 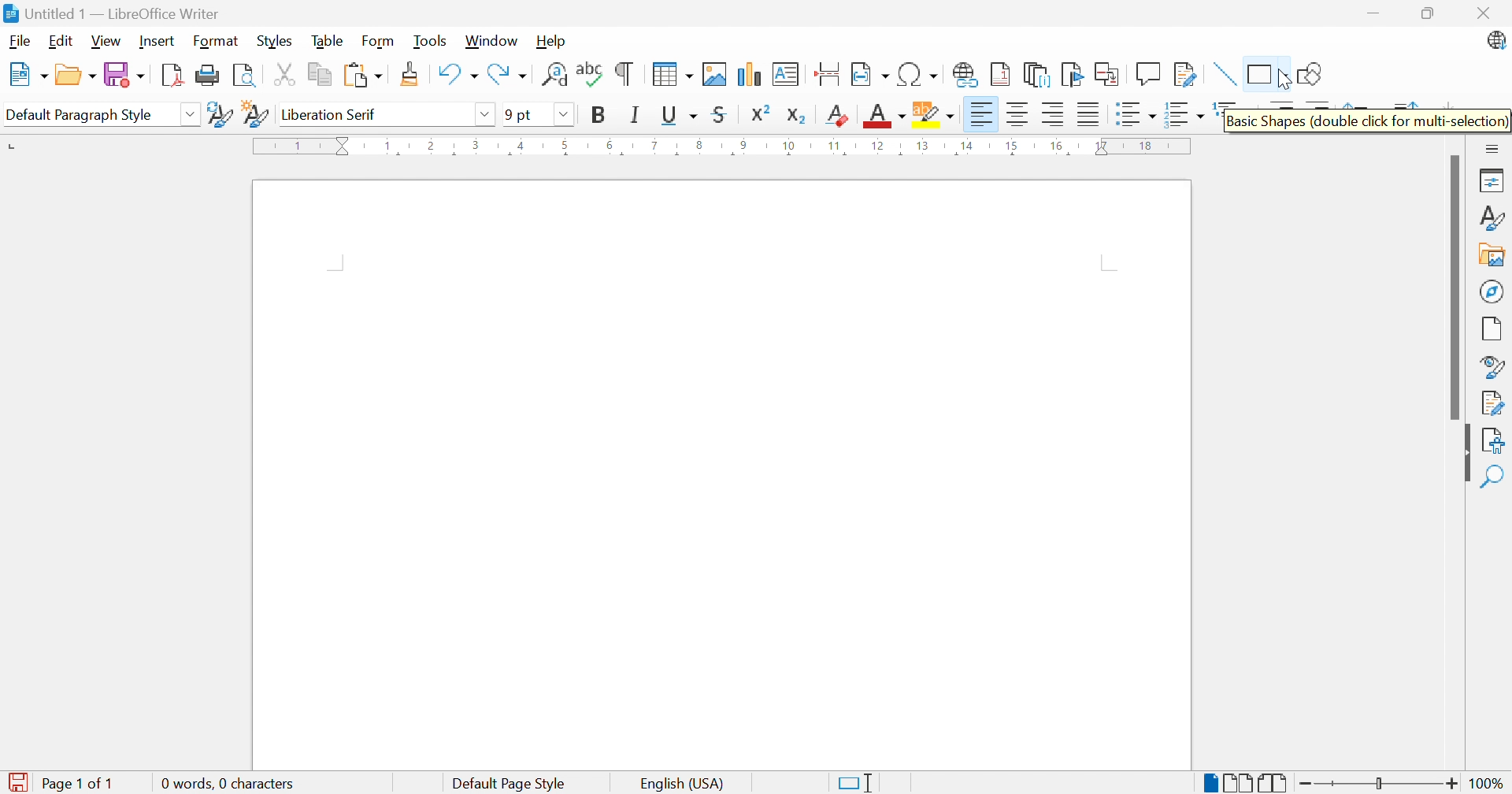 I want to click on Minimize, so click(x=1374, y=15).